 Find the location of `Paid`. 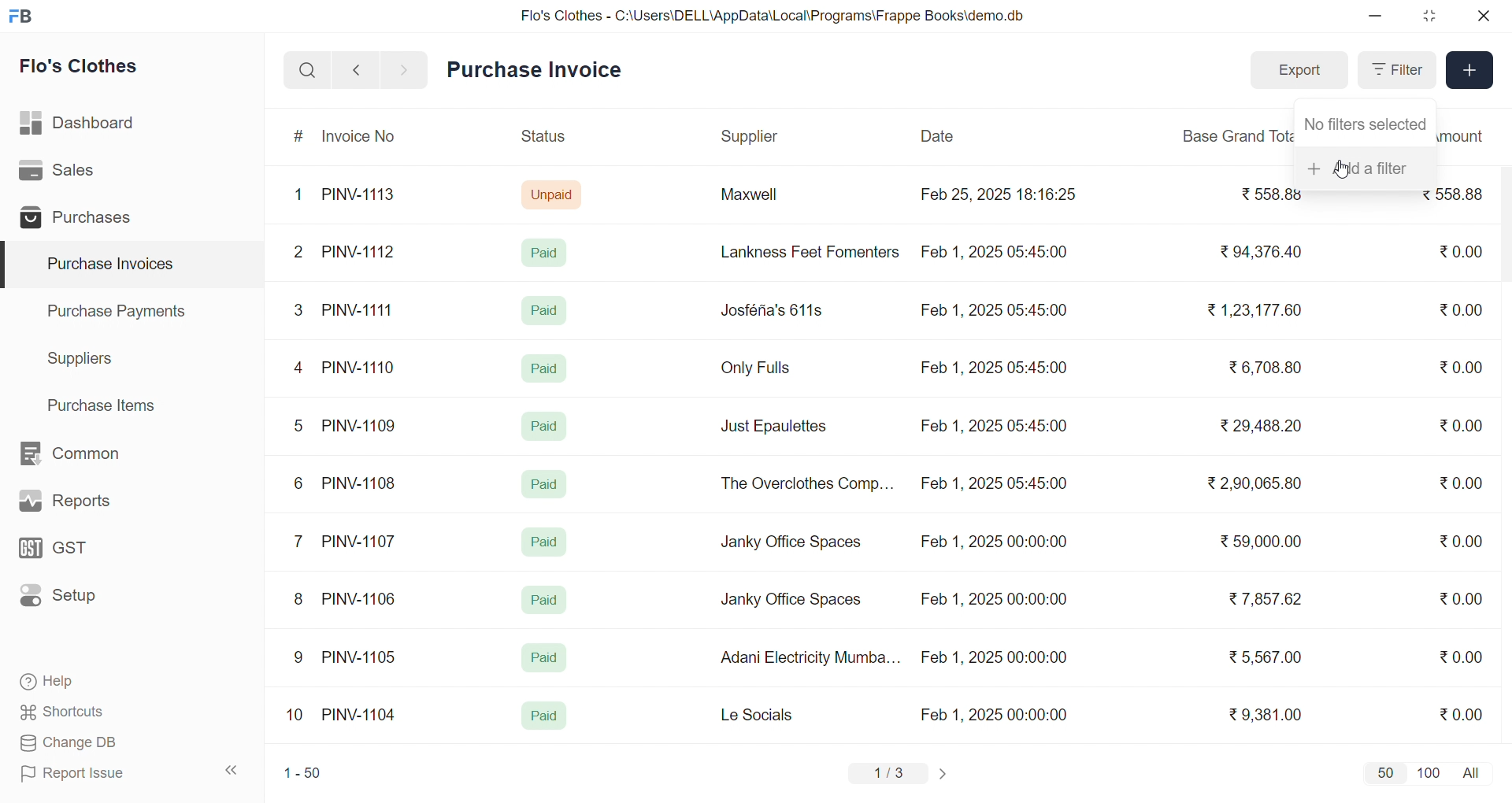

Paid is located at coordinates (548, 252).